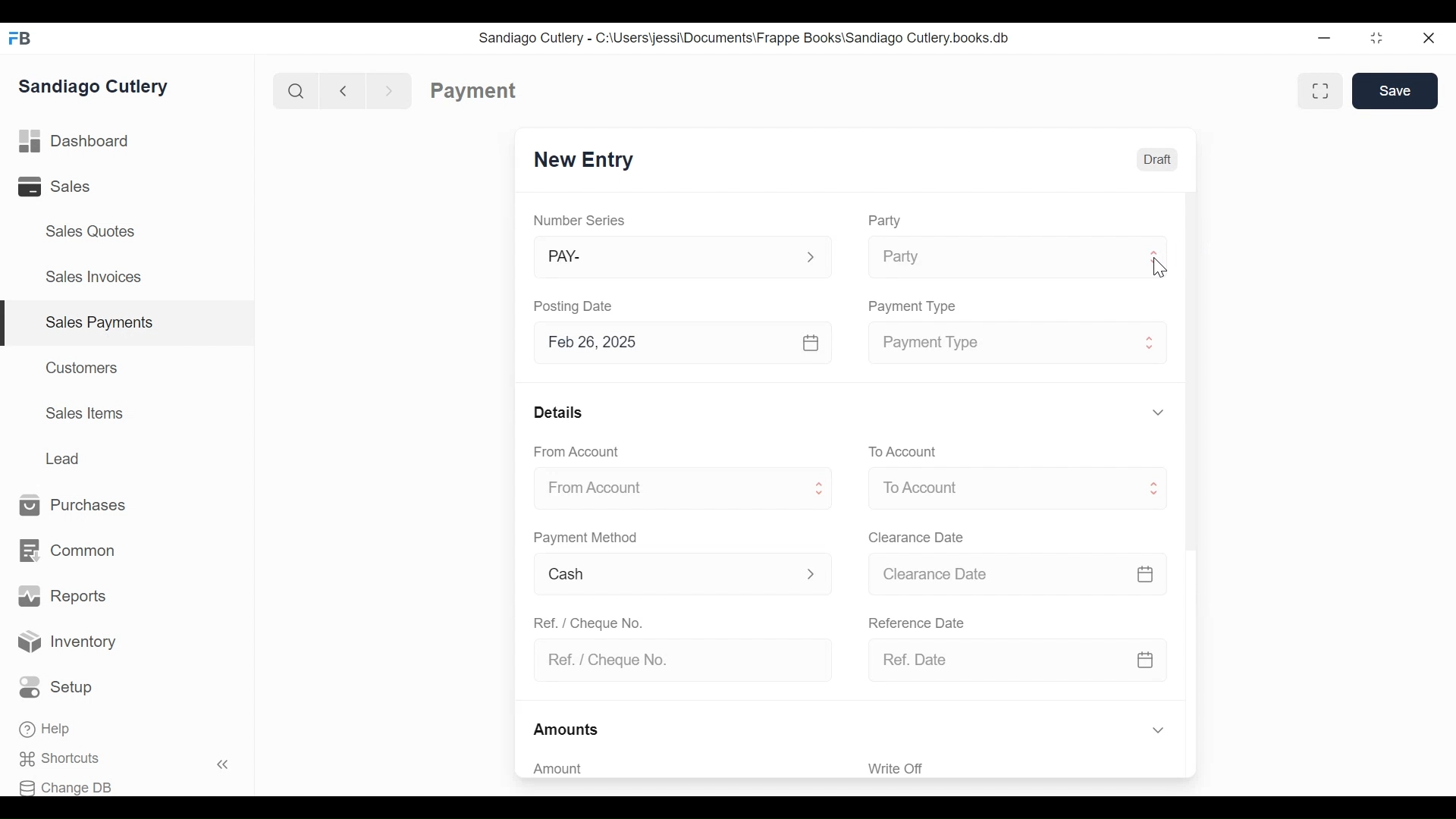 Image resolution: width=1456 pixels, height=819 pixels. I want to click on Minimize, so click(1324, 39).